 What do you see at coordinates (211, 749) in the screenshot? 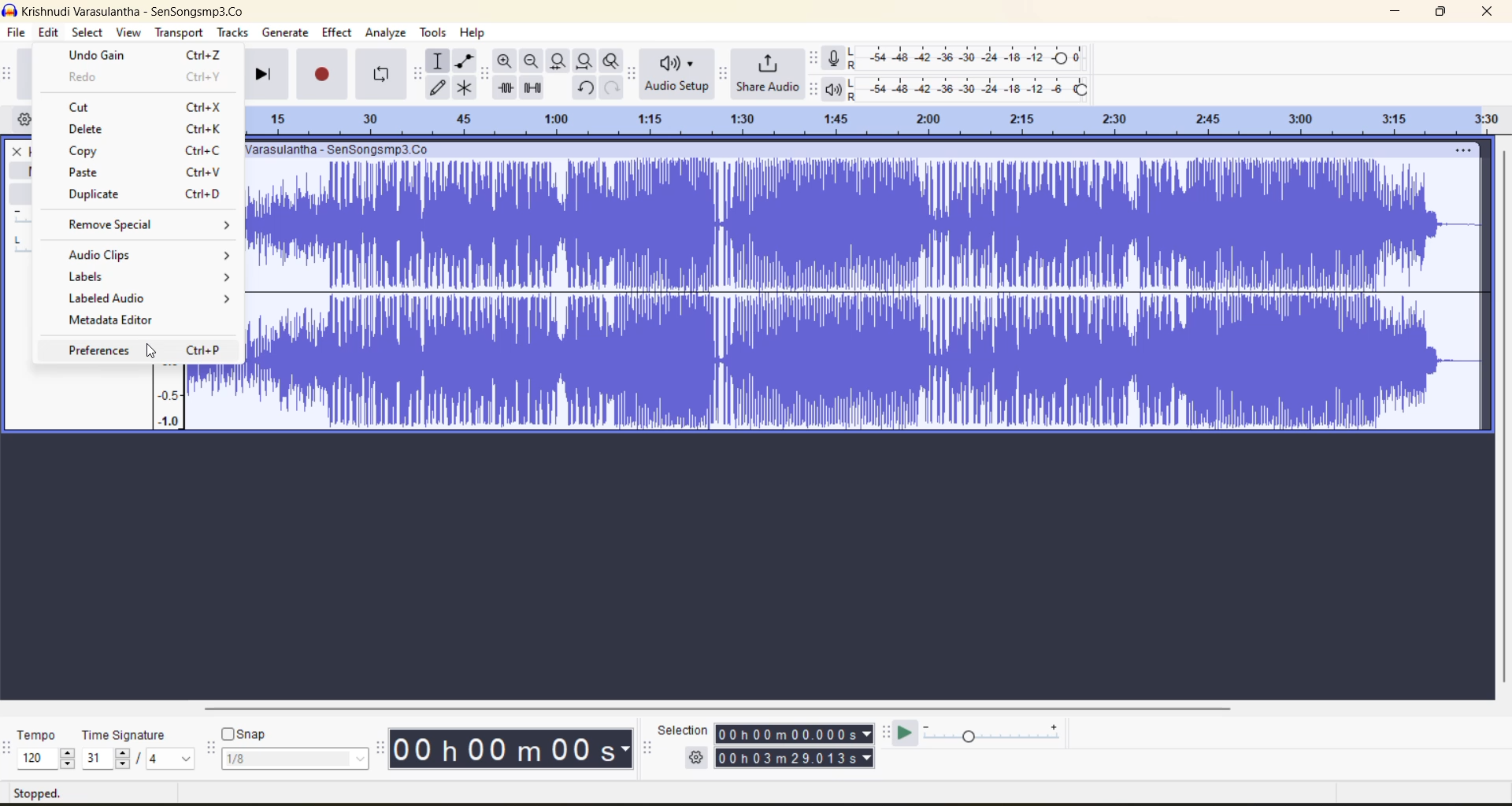
I see `snapping toolbar` at bounding box center [211, 749].